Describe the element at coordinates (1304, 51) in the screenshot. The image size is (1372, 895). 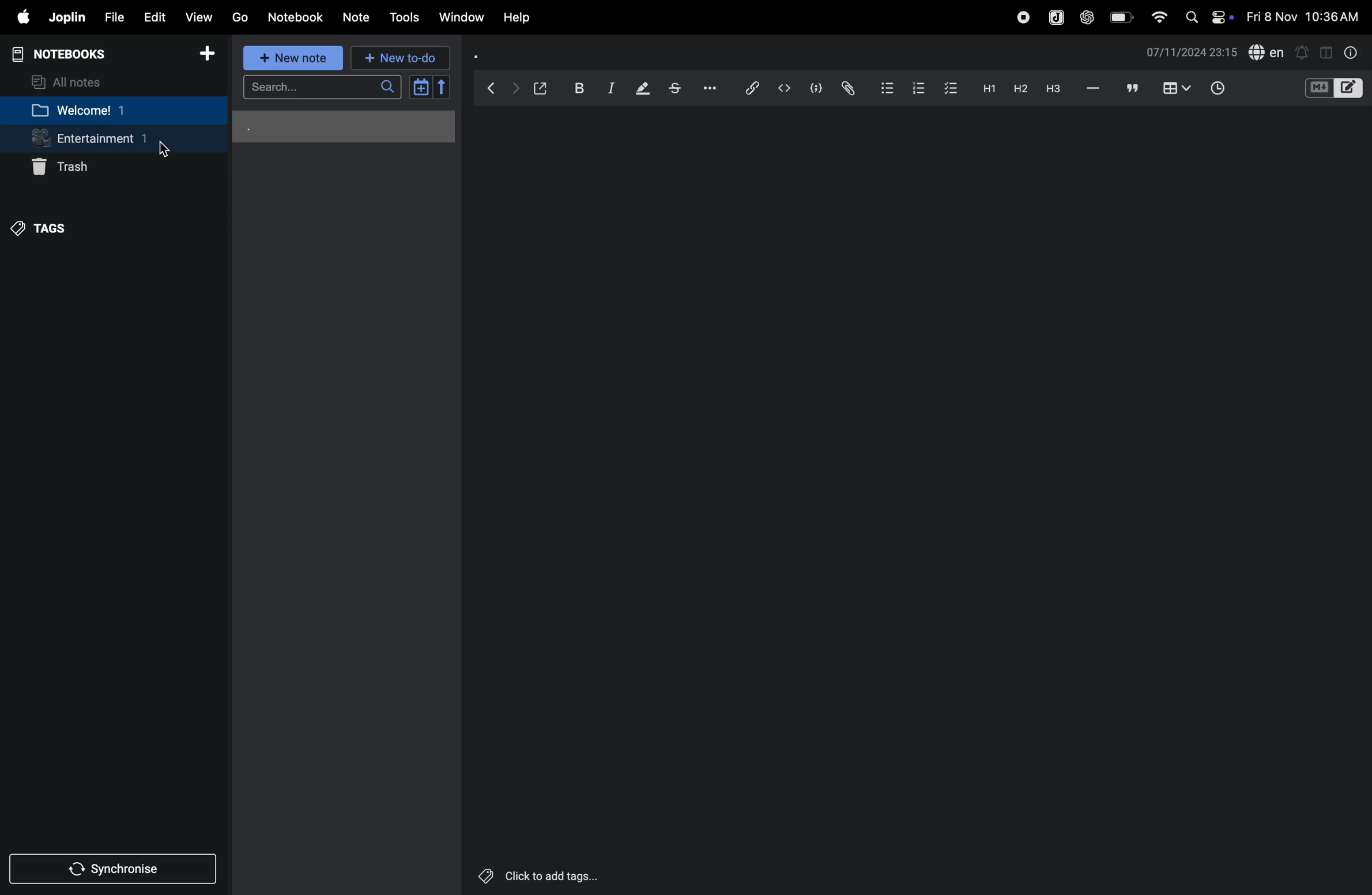
I see `create alert` at that location.